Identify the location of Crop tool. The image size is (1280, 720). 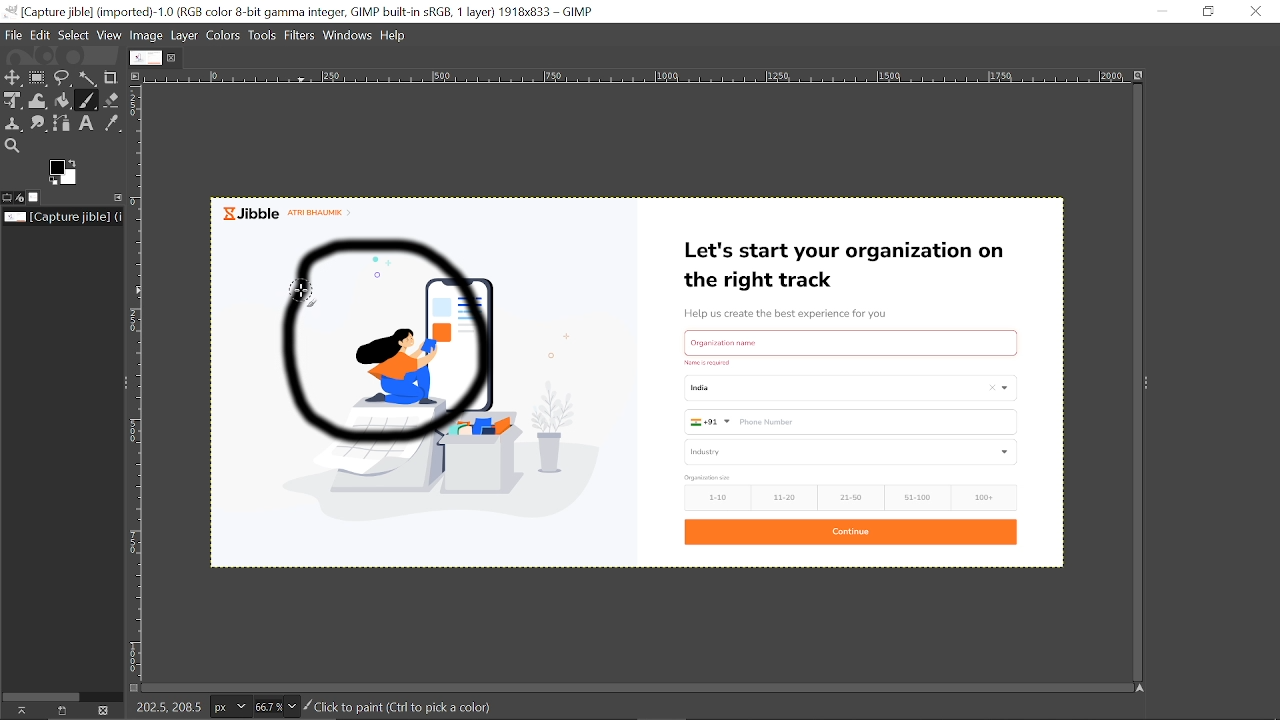
(112, 78).